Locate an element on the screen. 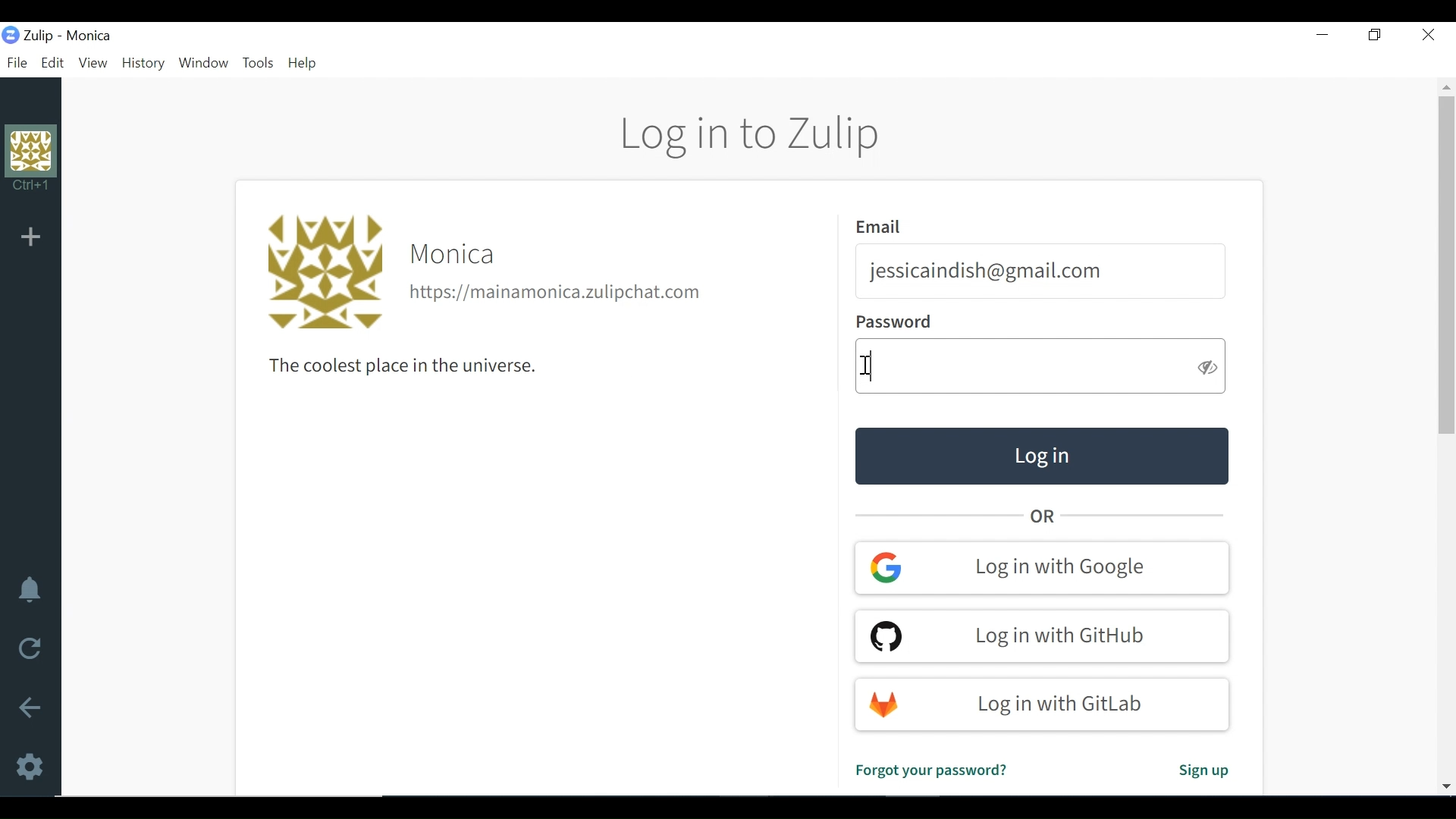 The width and height of the screenshot is (1456, 819). Go back is located at coordinates (30, 708).